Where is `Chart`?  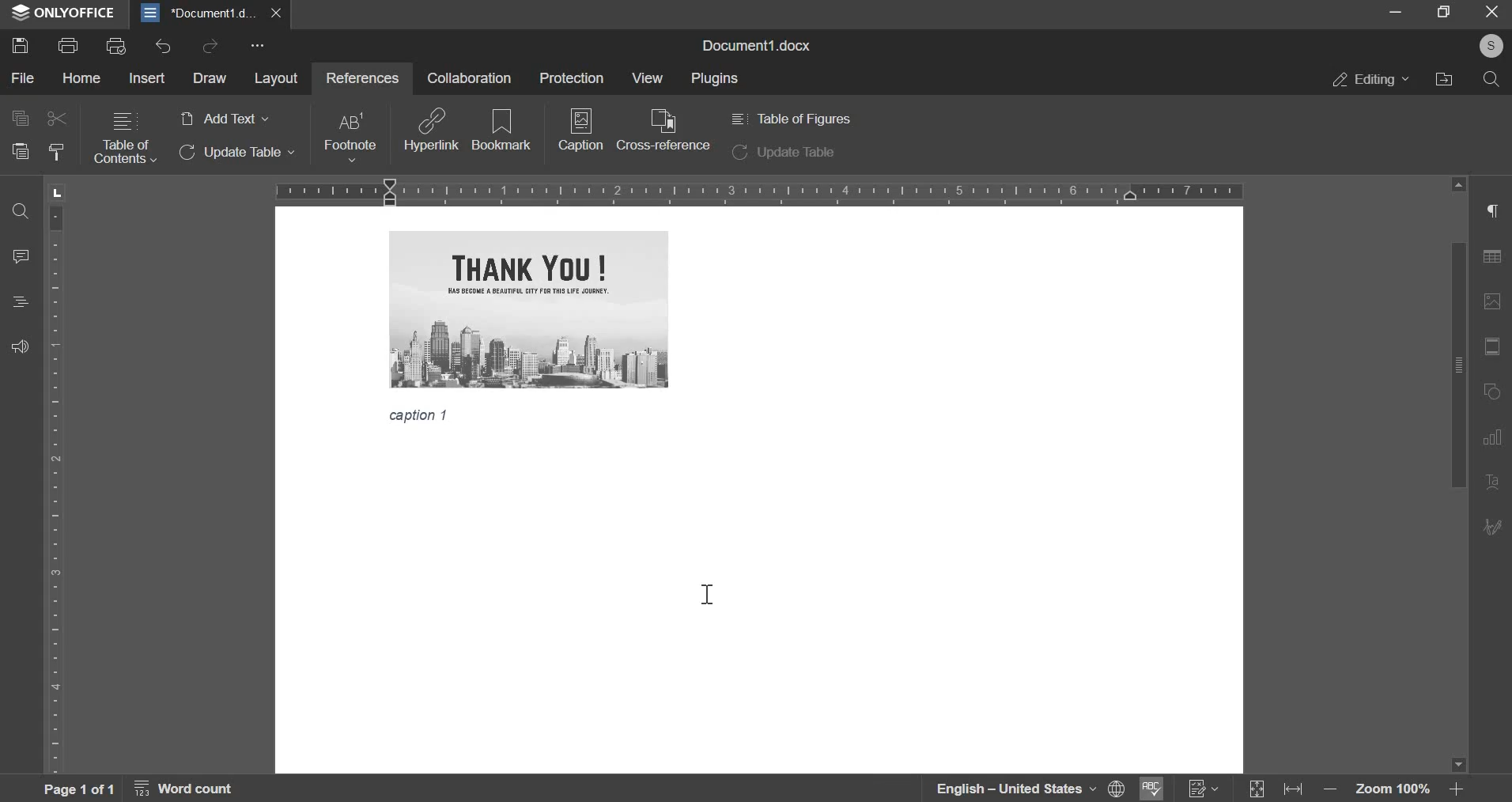 Chart is located at coordinates (1497, 437).